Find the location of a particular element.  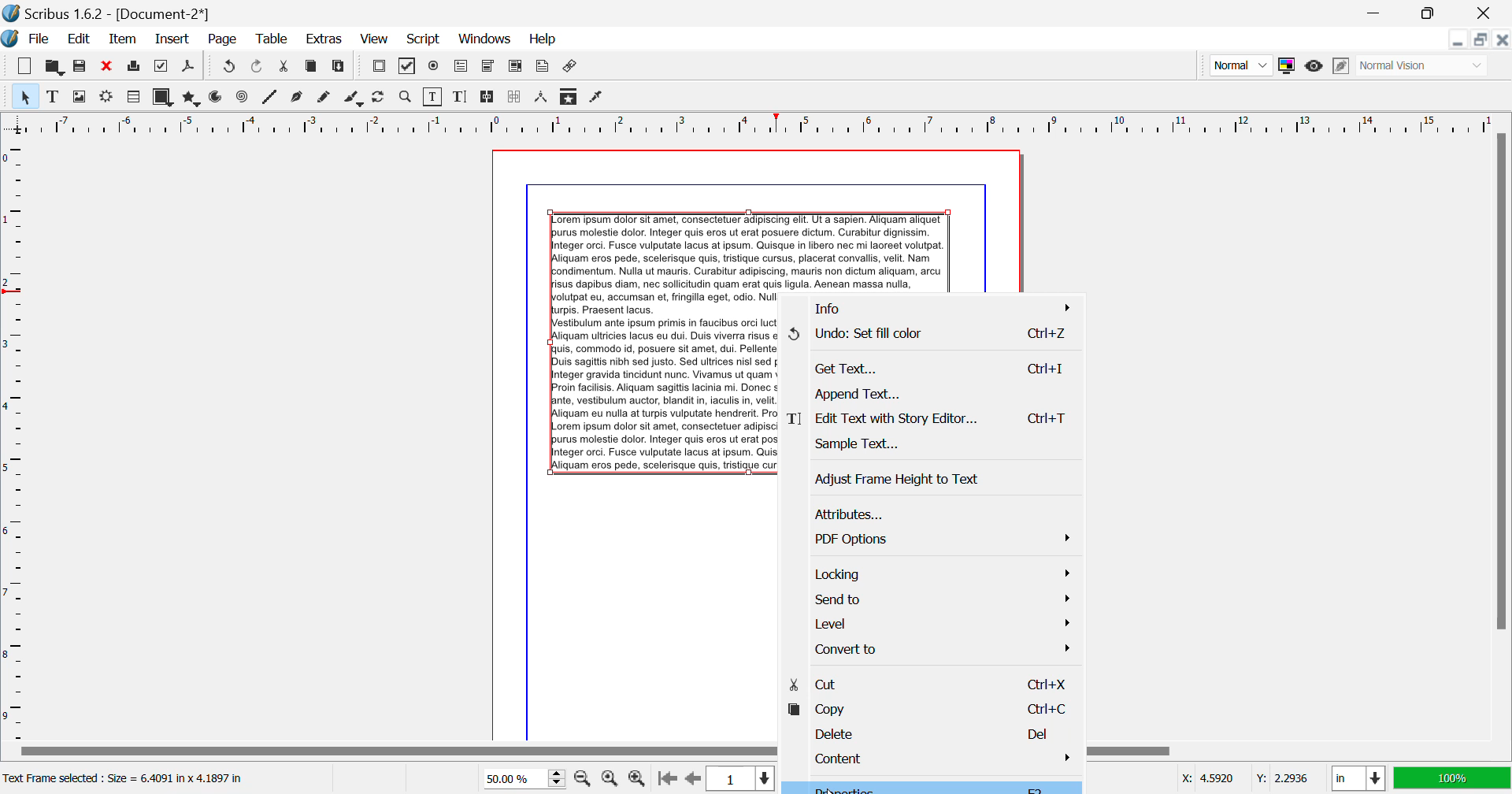

Preview Mode is located at coordinates (1240, 65).